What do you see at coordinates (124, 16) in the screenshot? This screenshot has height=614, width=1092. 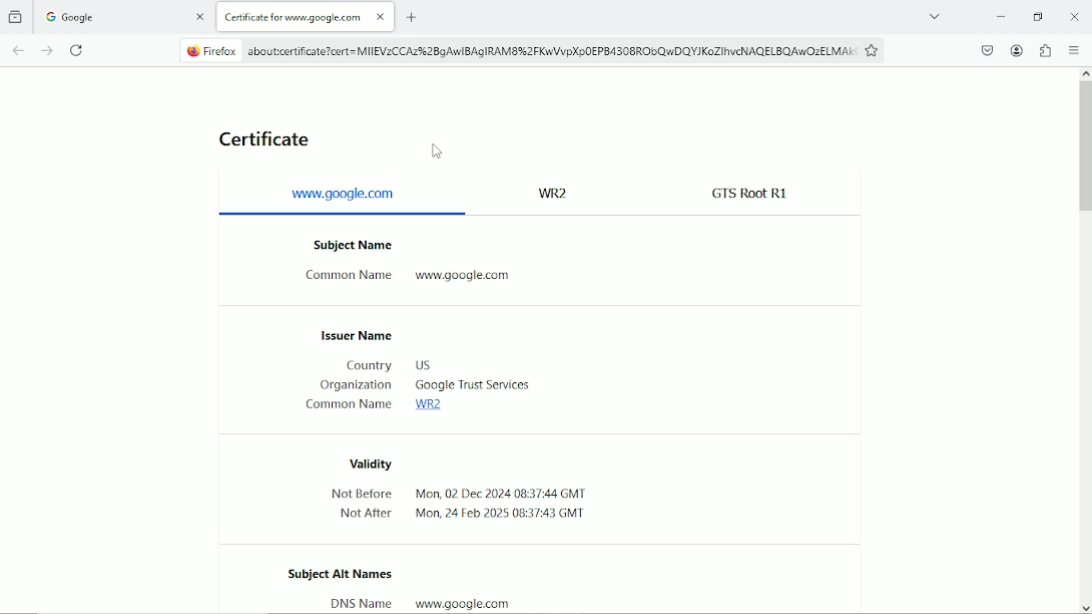 I see `Google ` at bounding box center [124, 16].